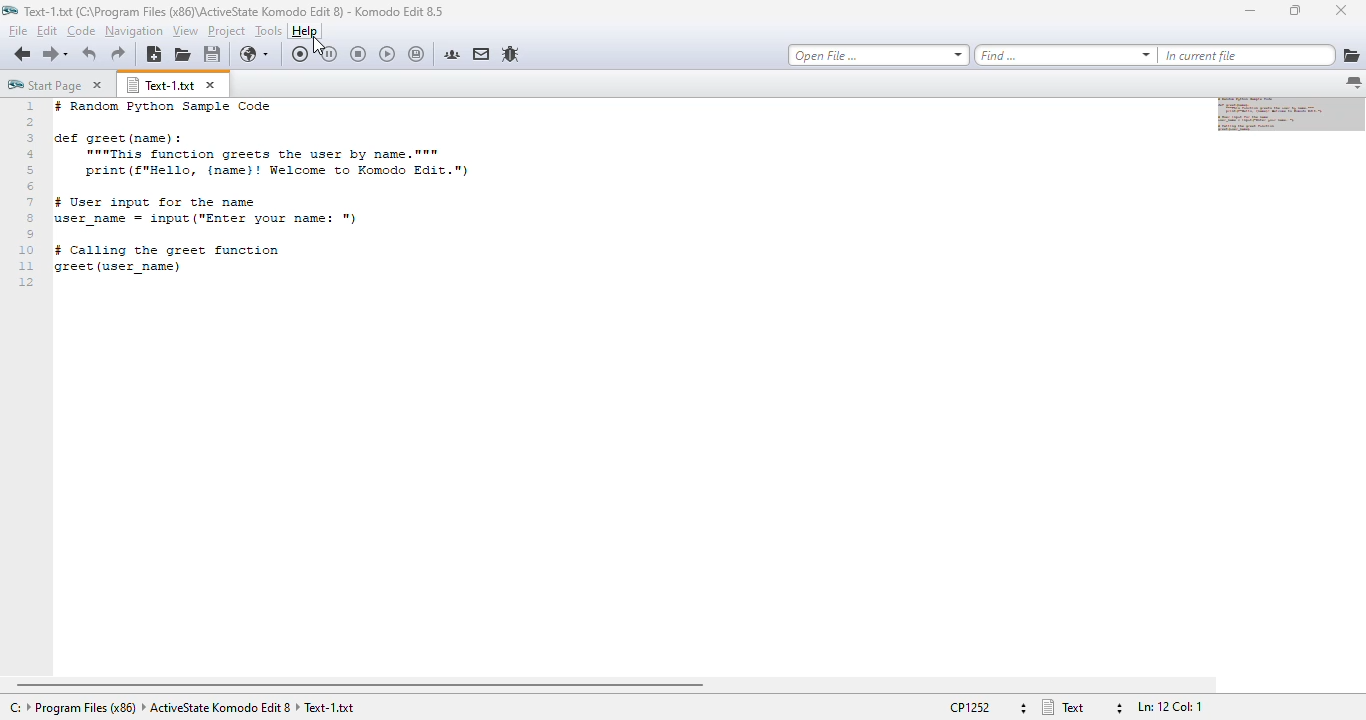 The image size is (1366, 720). What do you see at coordinates (161, 85) in the screenshot?
I see `text-1` at bounding box center [161, 85].